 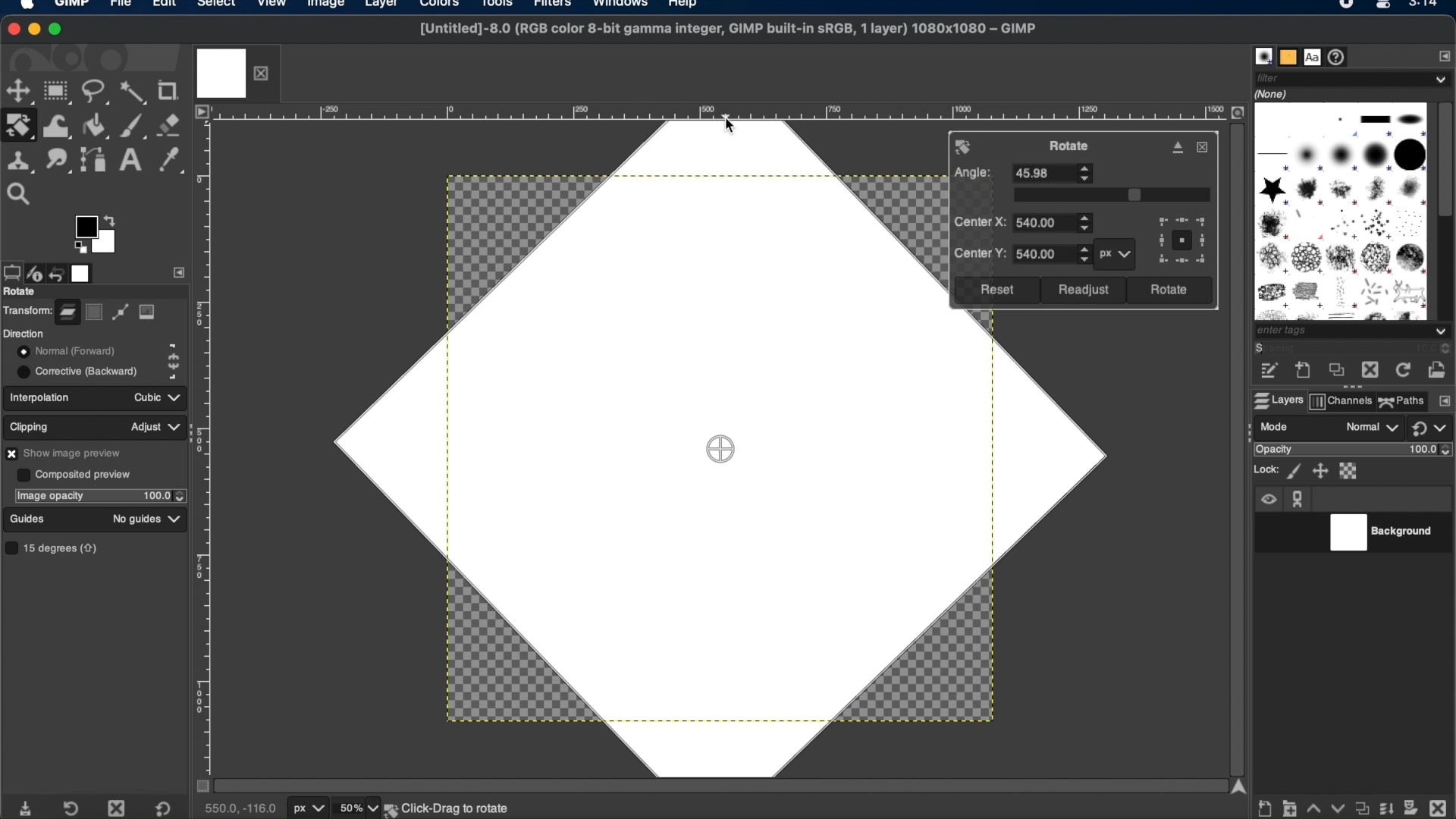 What do you see at coordinates (120, 314) in the screenshot?
I see `path` at bounding box center [120, 314].